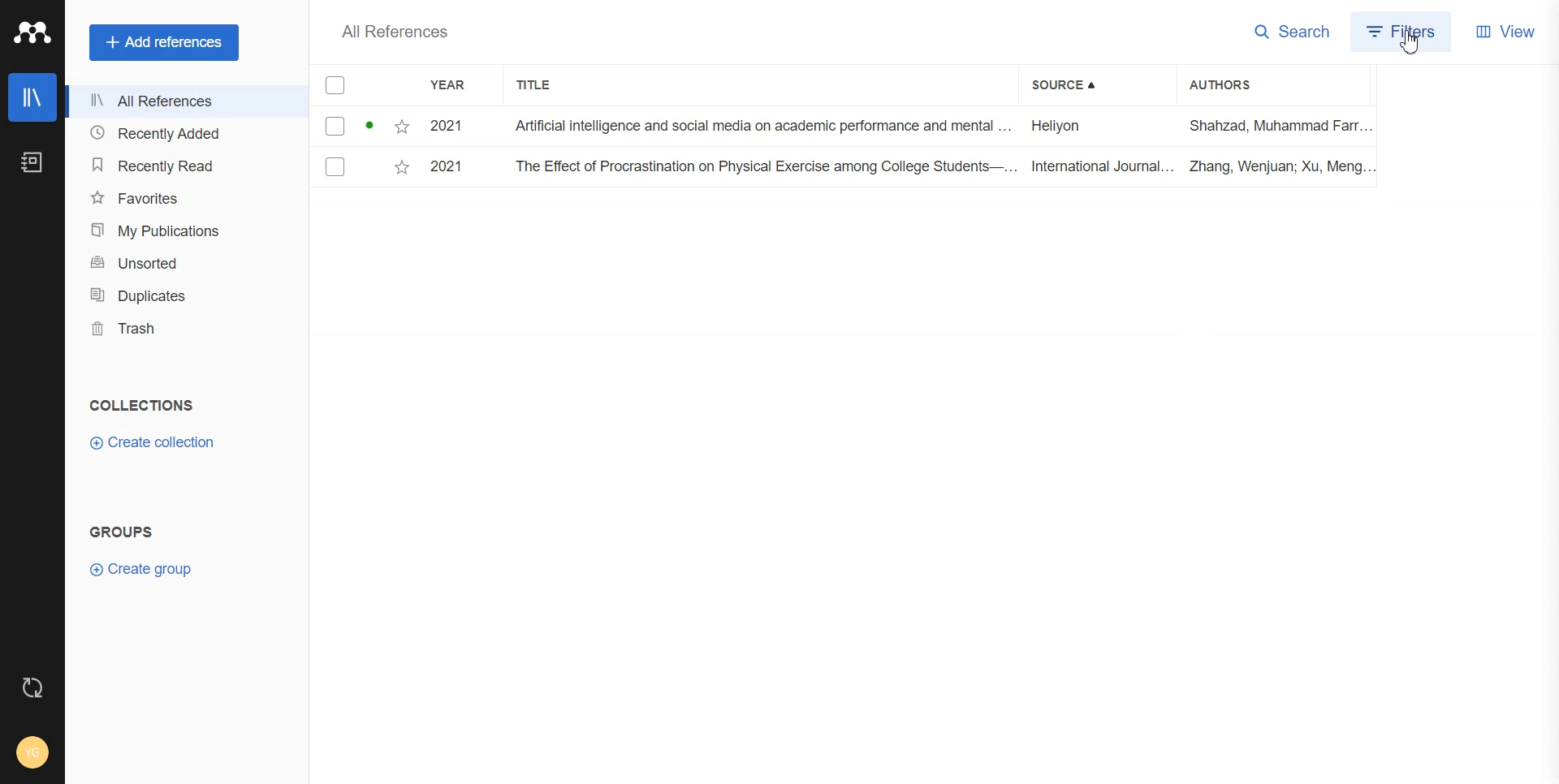 The width and height of the screenshot is (1559, 784). Describe the element at coordinates (177, 263) in the screenshot. I see `Unsorted` at that location.